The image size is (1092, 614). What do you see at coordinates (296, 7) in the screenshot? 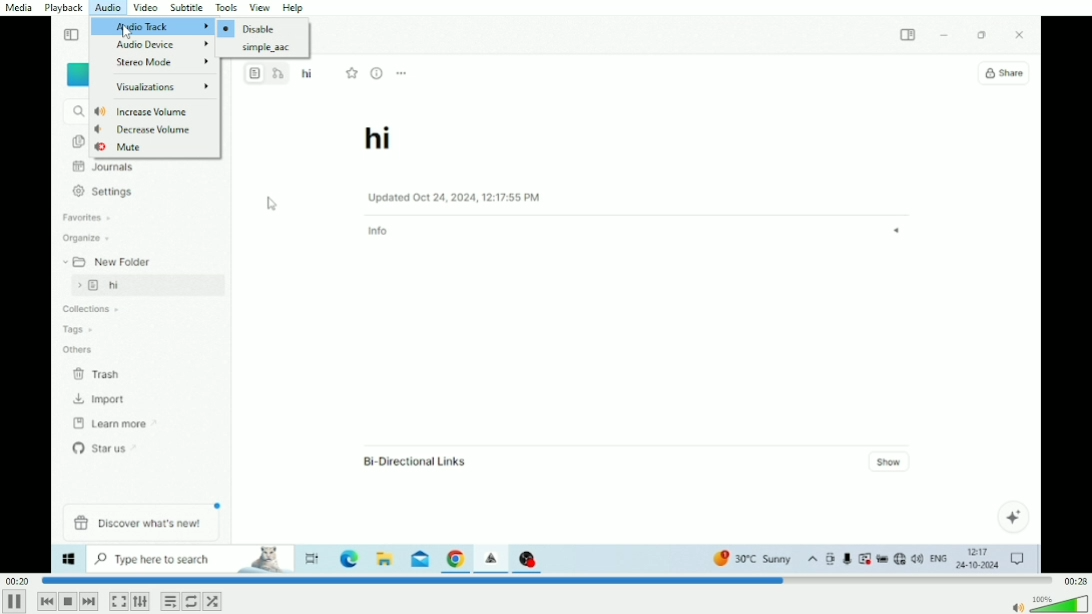
I see `Help` at bounding box center [296, 7].